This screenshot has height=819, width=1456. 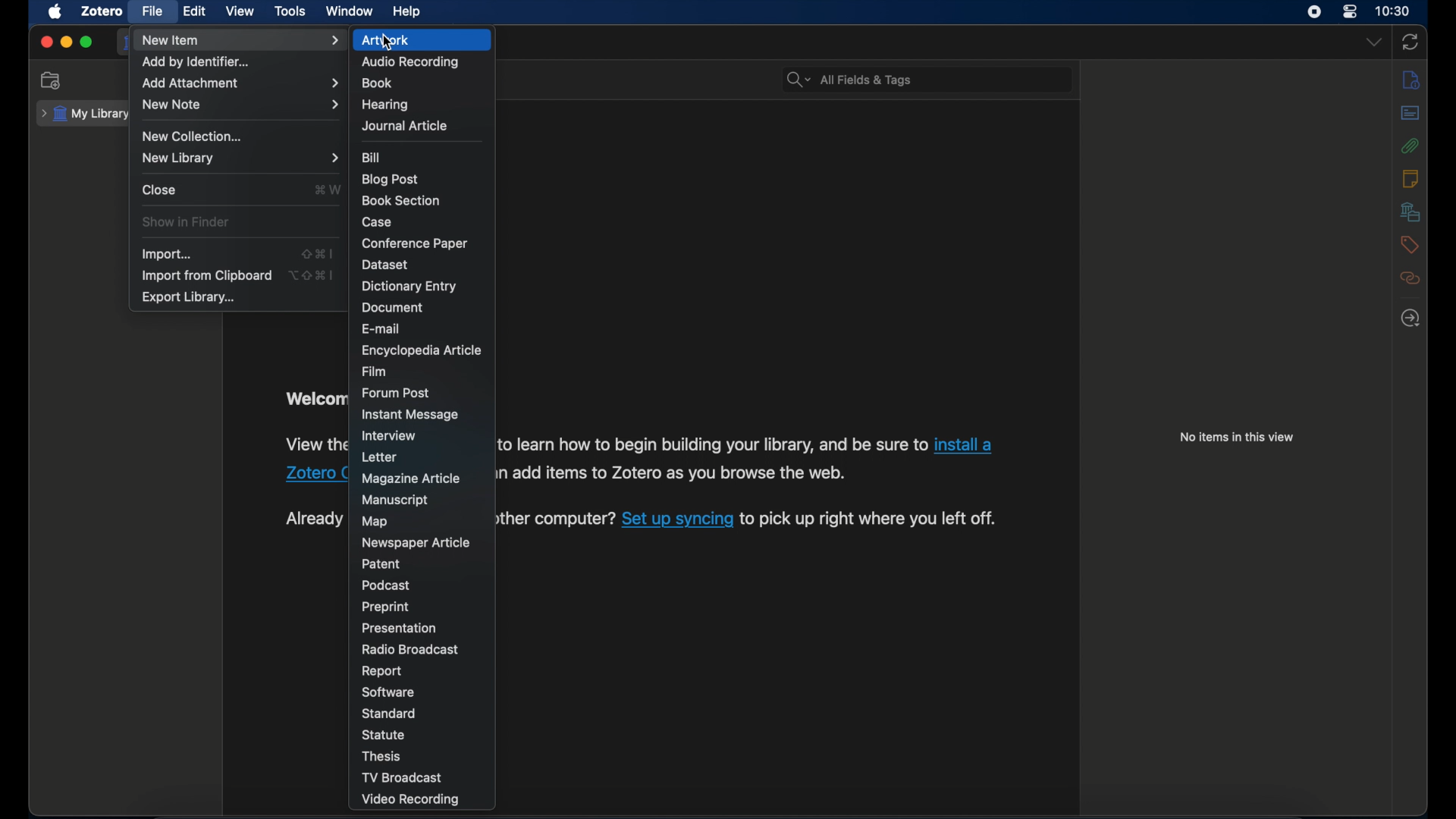 I want to click on forum post, so click(x=397, y=392).